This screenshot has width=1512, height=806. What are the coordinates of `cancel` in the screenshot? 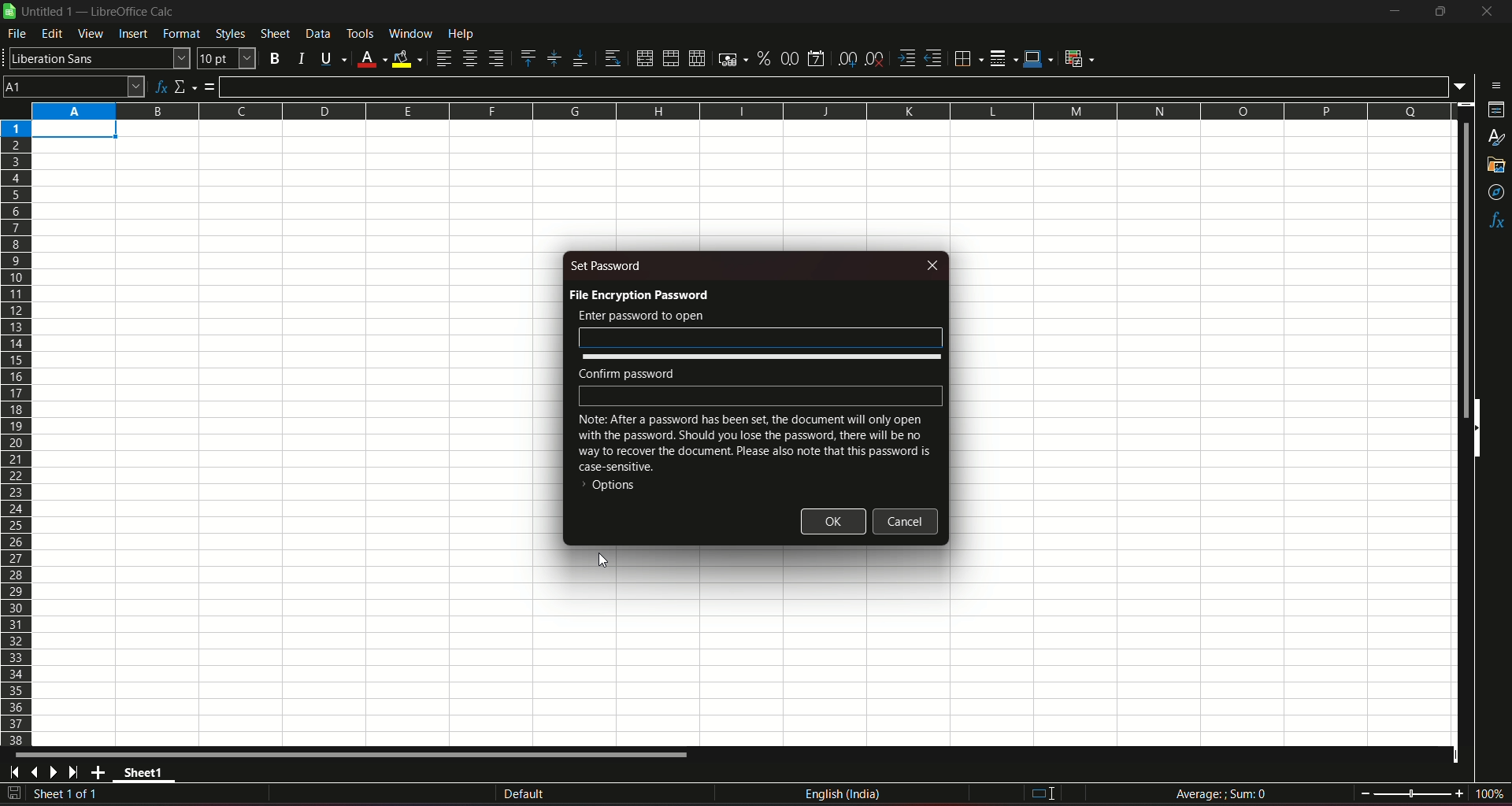 It's located at (906, 522).